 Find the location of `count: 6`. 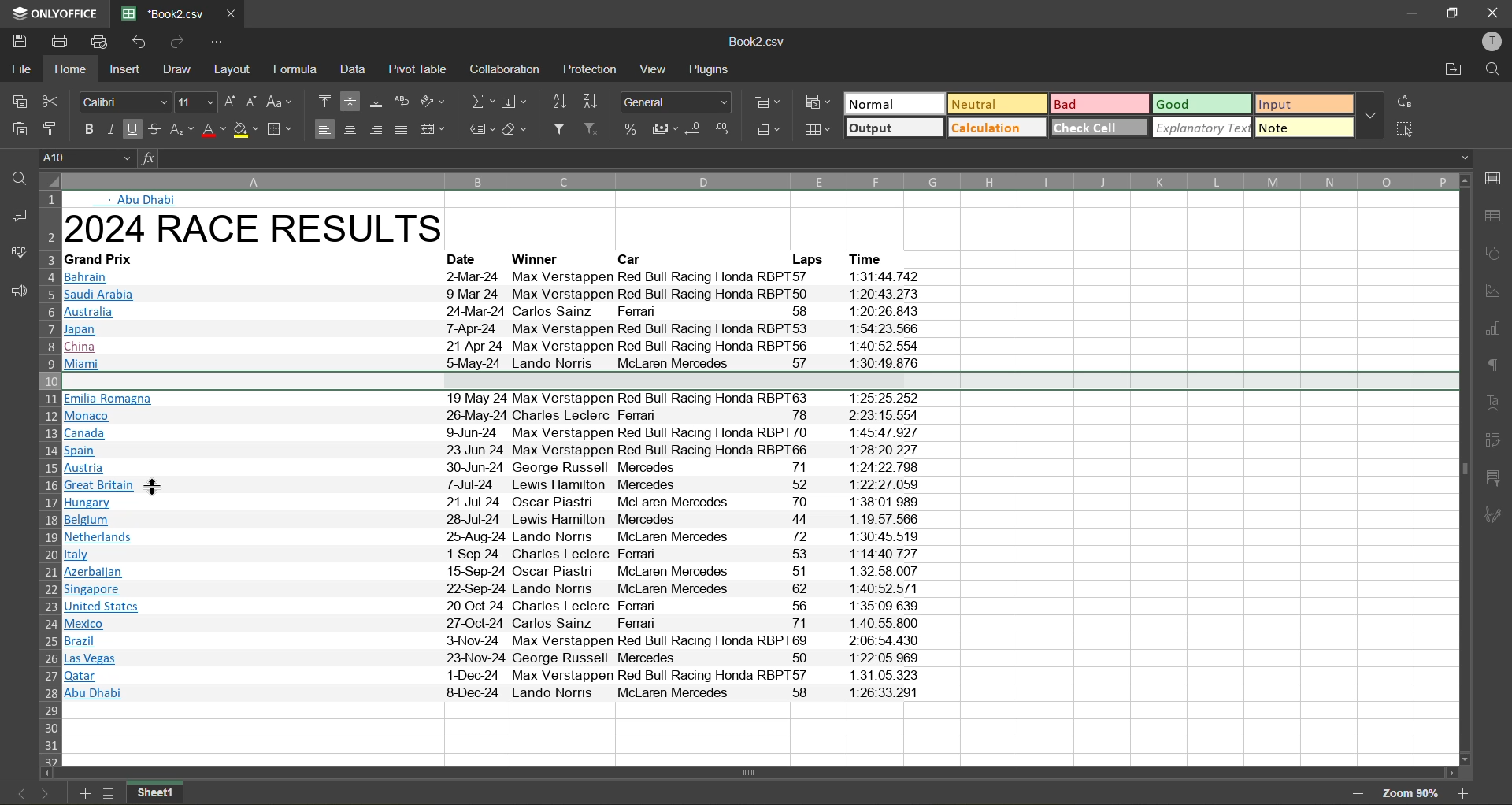

count: 6 is located at coordinates (1117, 793).